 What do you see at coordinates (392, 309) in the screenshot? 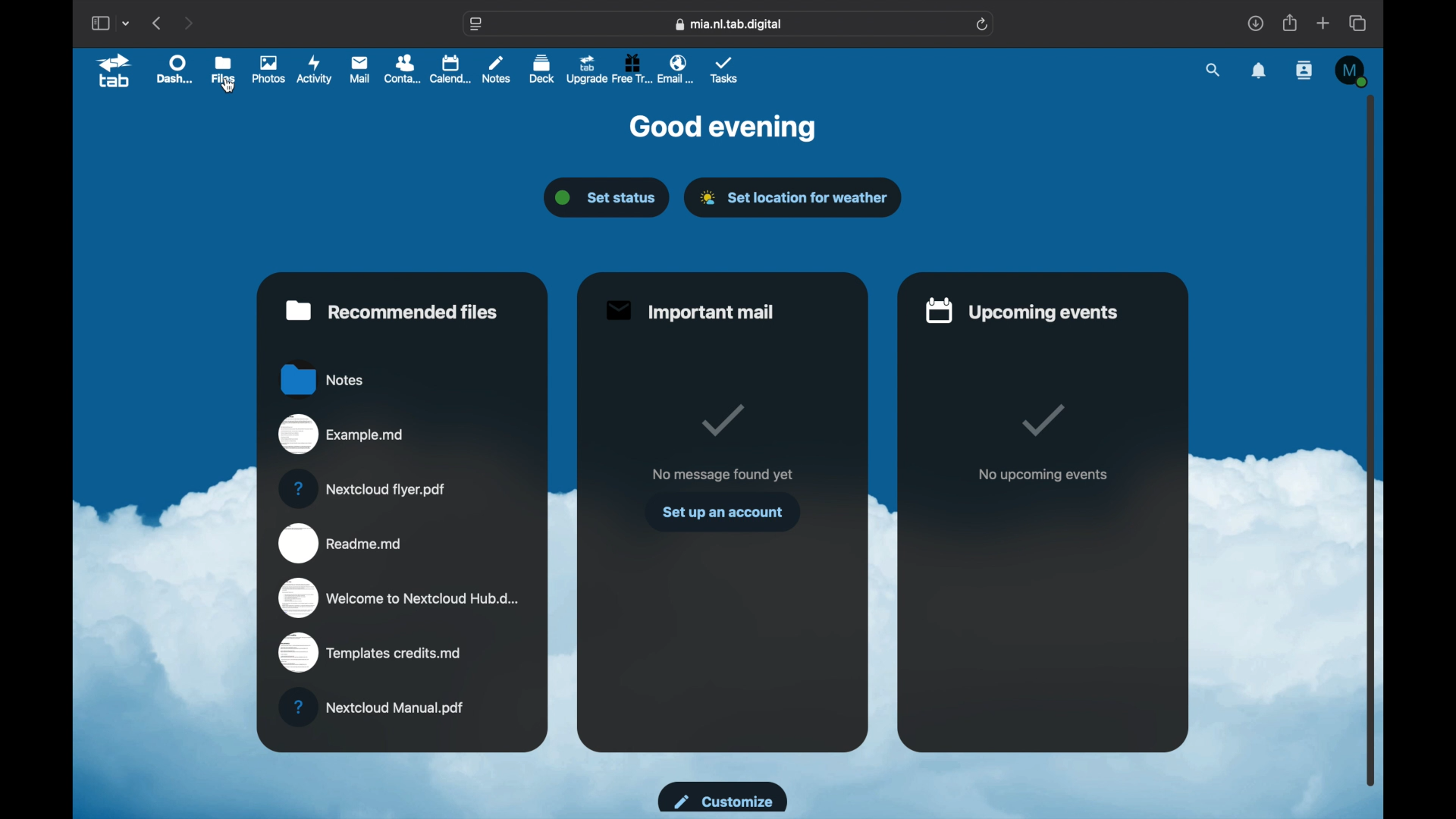
I see `recommended files` at bounding box center [392, 309].